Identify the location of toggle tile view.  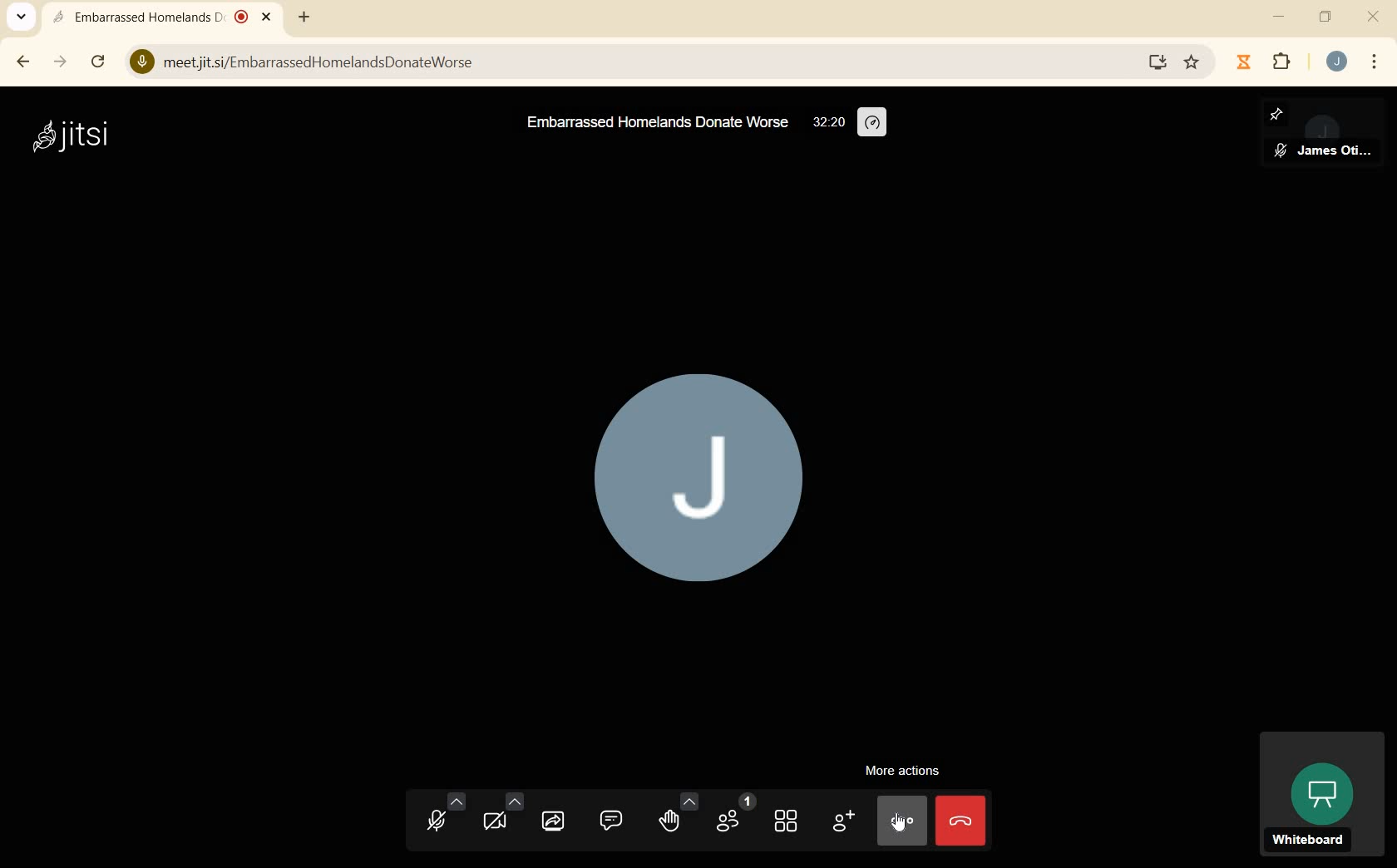
(784, 822).